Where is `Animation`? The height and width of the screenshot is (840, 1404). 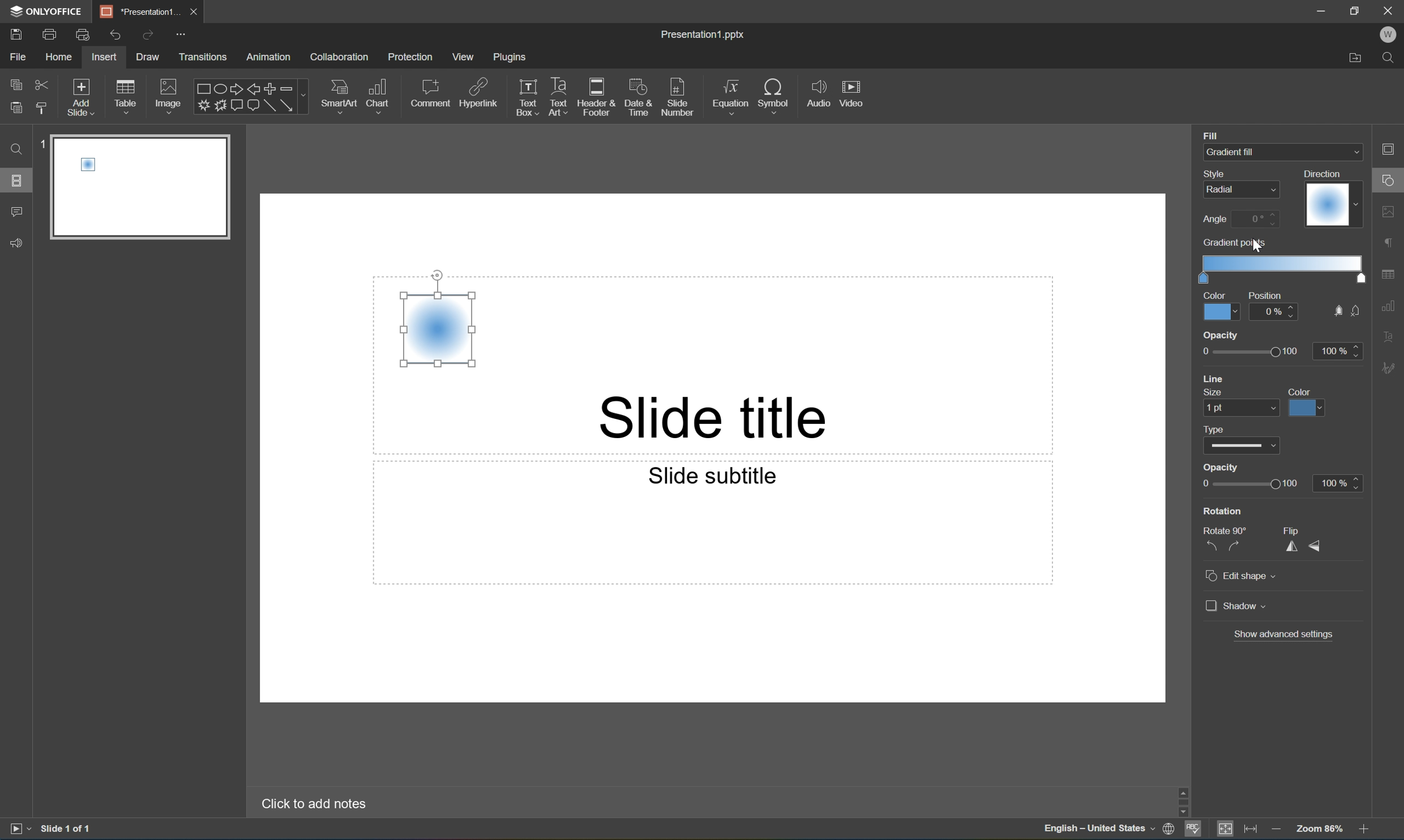 Animation is located at coordinates (268, 58).